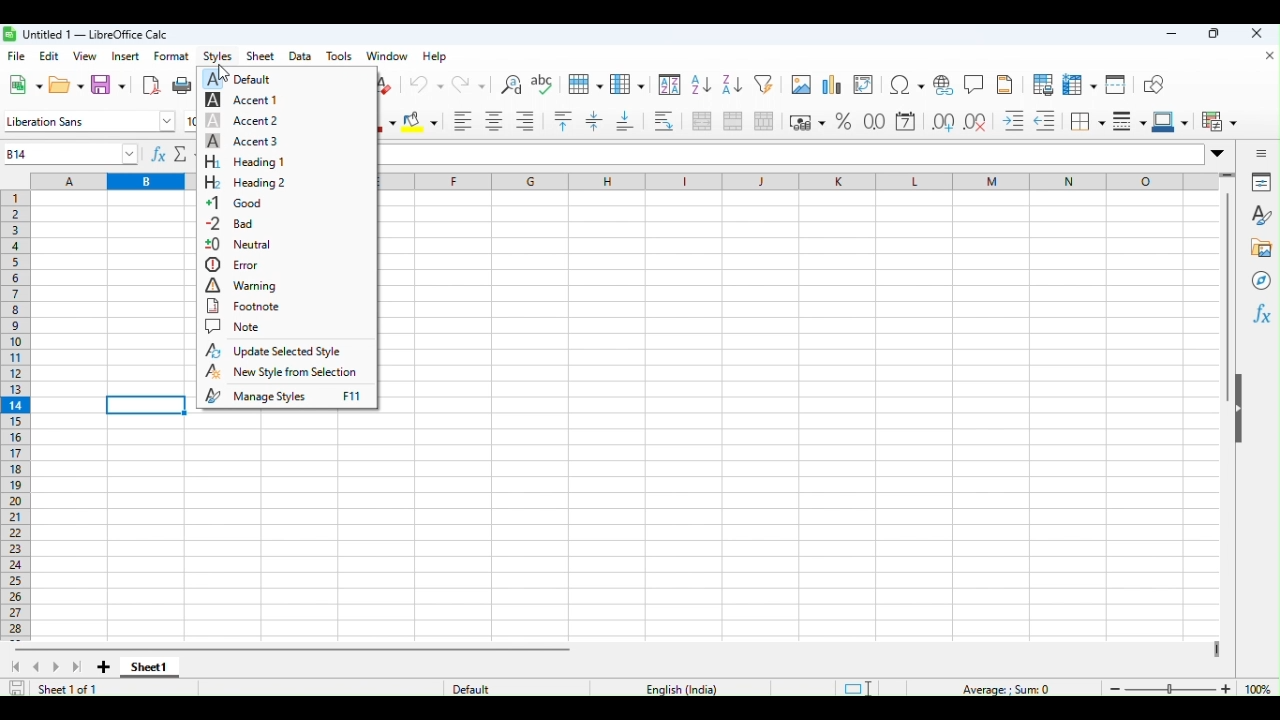 This screenshot has height=720, width=1280. I want to click on row, so click(582, 84).